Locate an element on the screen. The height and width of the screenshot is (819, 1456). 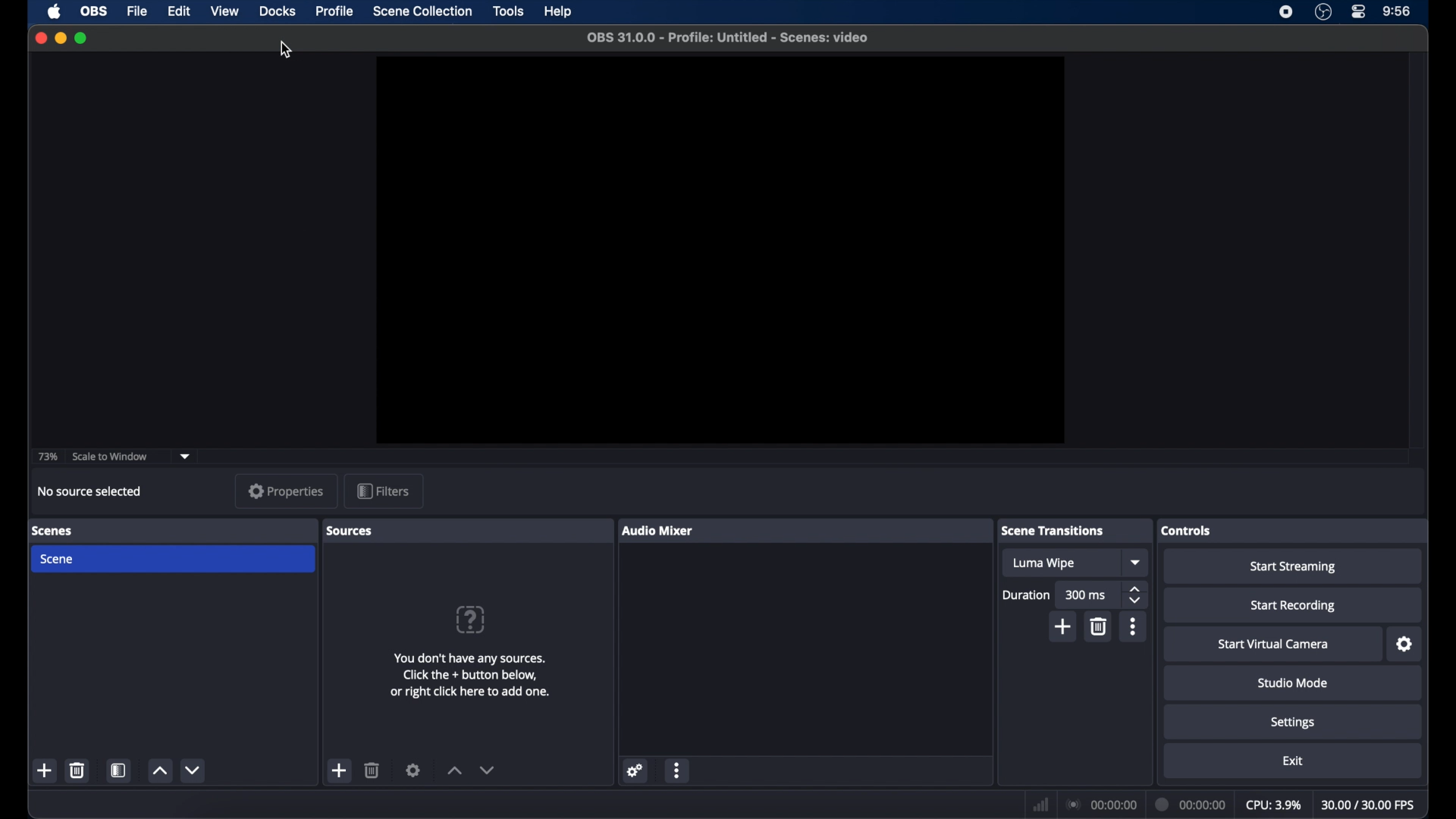
help is located at coordinates (559, 11).